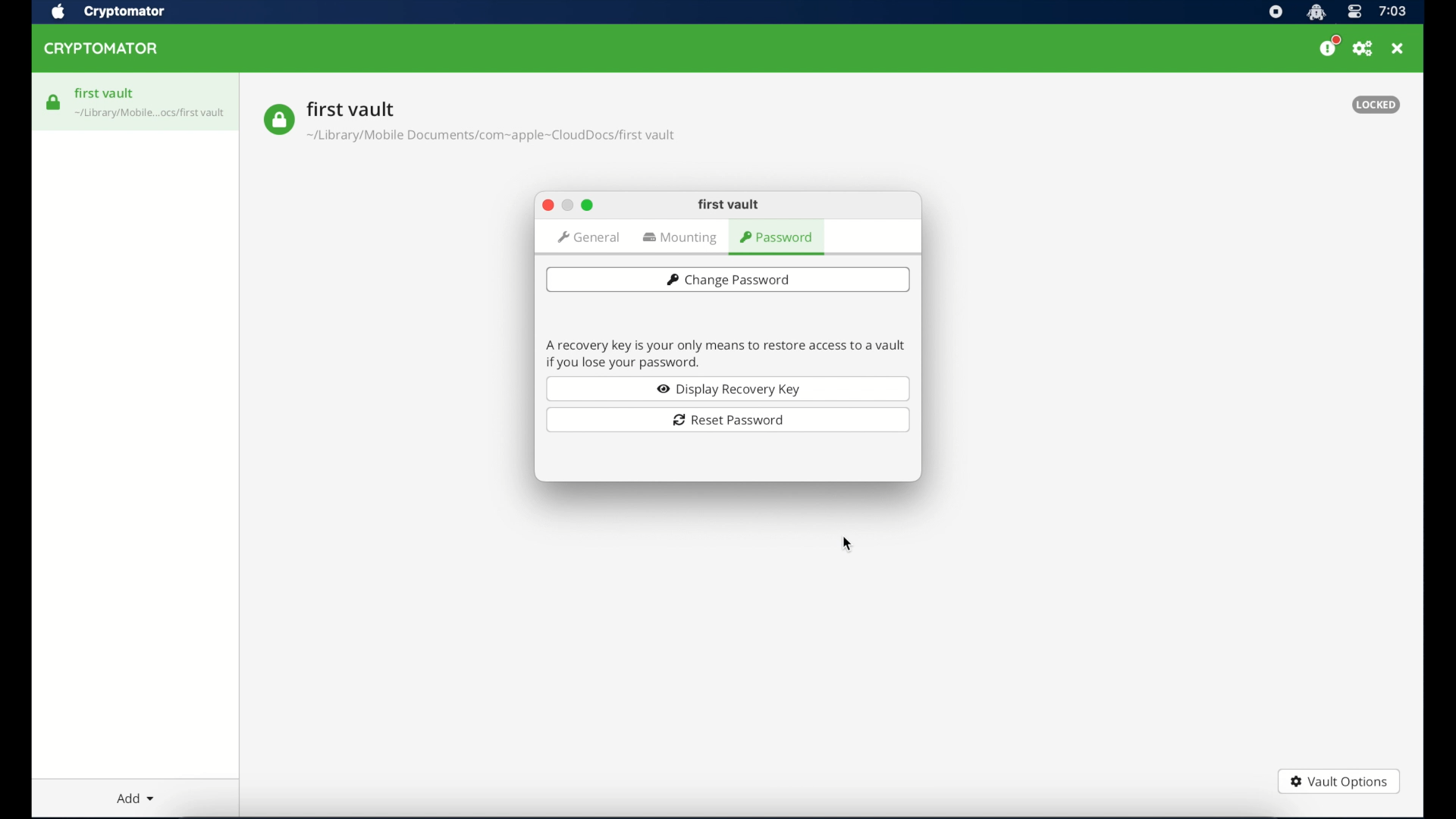 This screenshot has height=819, width=1456. What do you see at coordinates (1276, 13) in the screenshot?
I see `screen recorder icon` at bounding box center [1276, 13].